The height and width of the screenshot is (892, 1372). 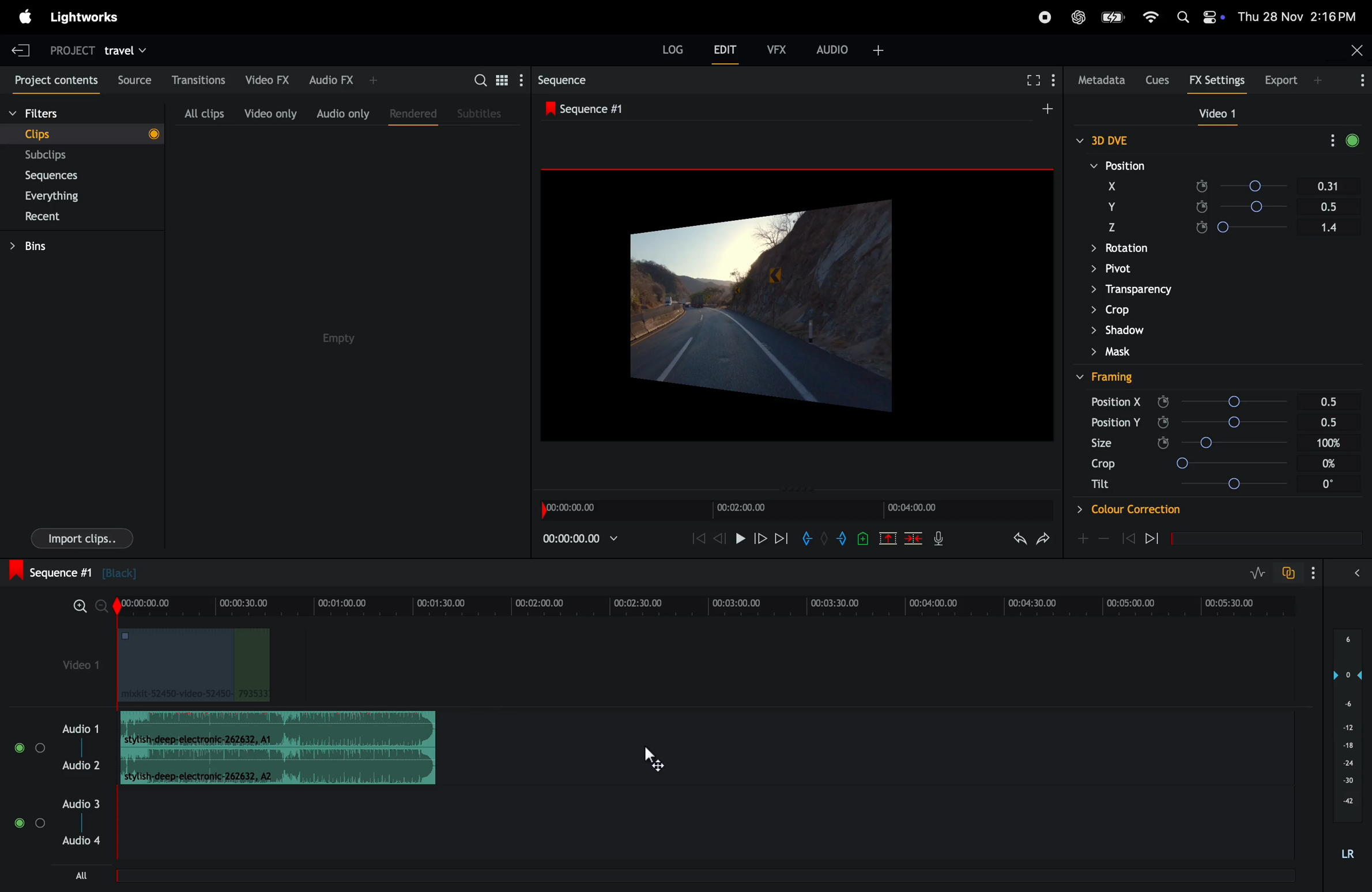 What do you see at coordinates (701, 607) in the screenshot?
I see `time frame` at bounding box center [701, 607].